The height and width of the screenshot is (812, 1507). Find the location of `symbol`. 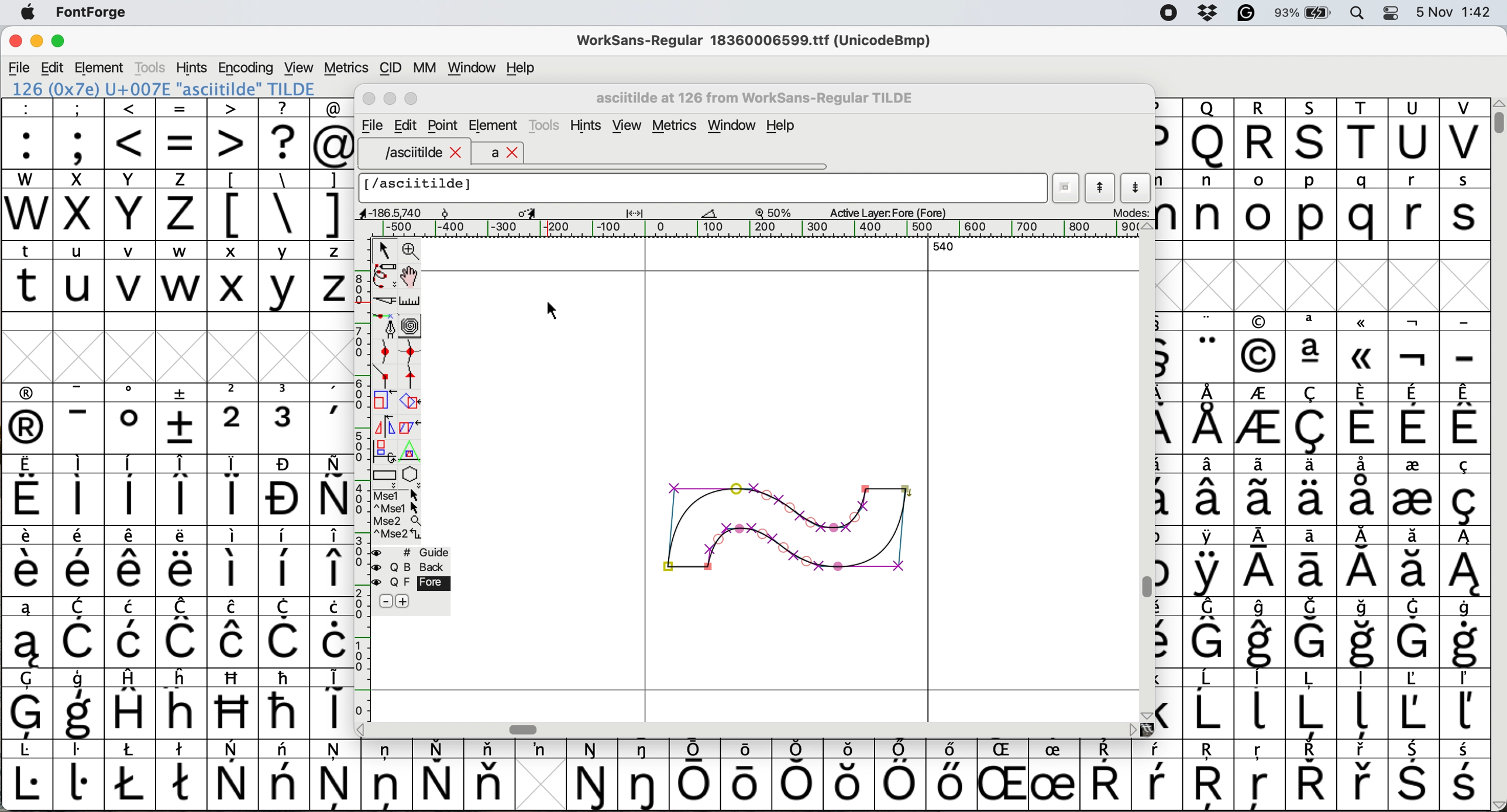

symbol is located at coordinates (1415, 349).